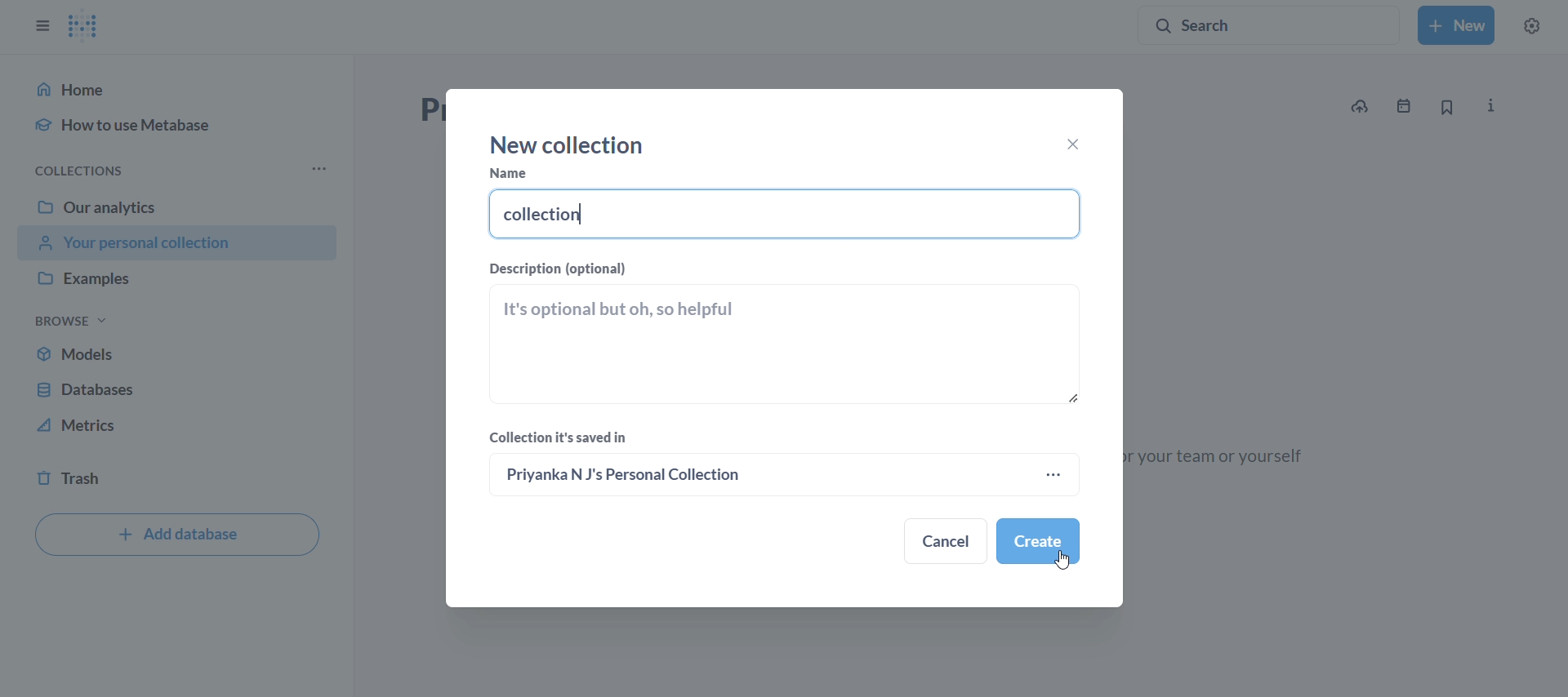  What do you see at coordinates (569, 145) in the screenshot?
I see `new collection` at bounding box center [569, 145].